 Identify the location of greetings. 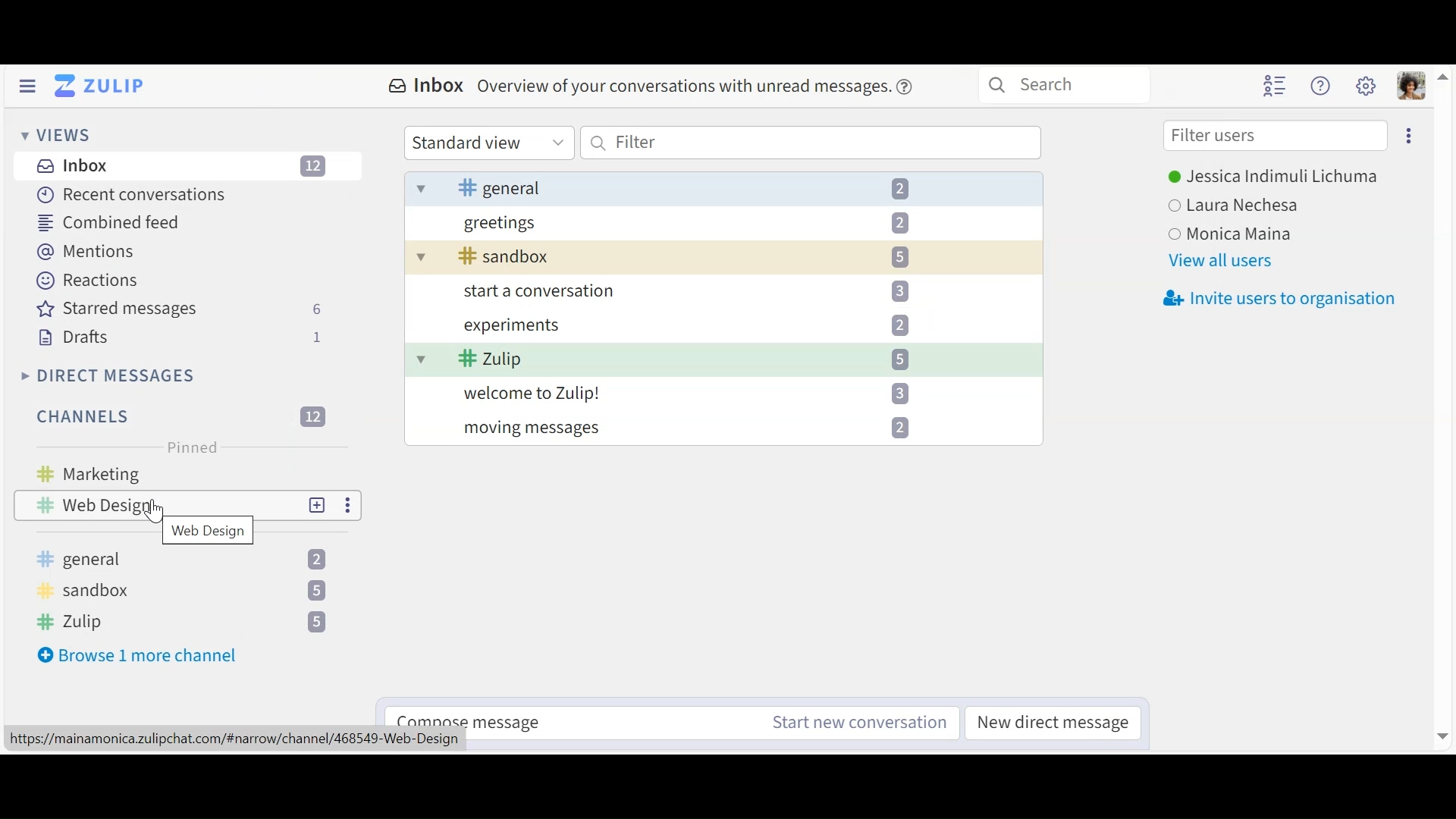
(727, 221).